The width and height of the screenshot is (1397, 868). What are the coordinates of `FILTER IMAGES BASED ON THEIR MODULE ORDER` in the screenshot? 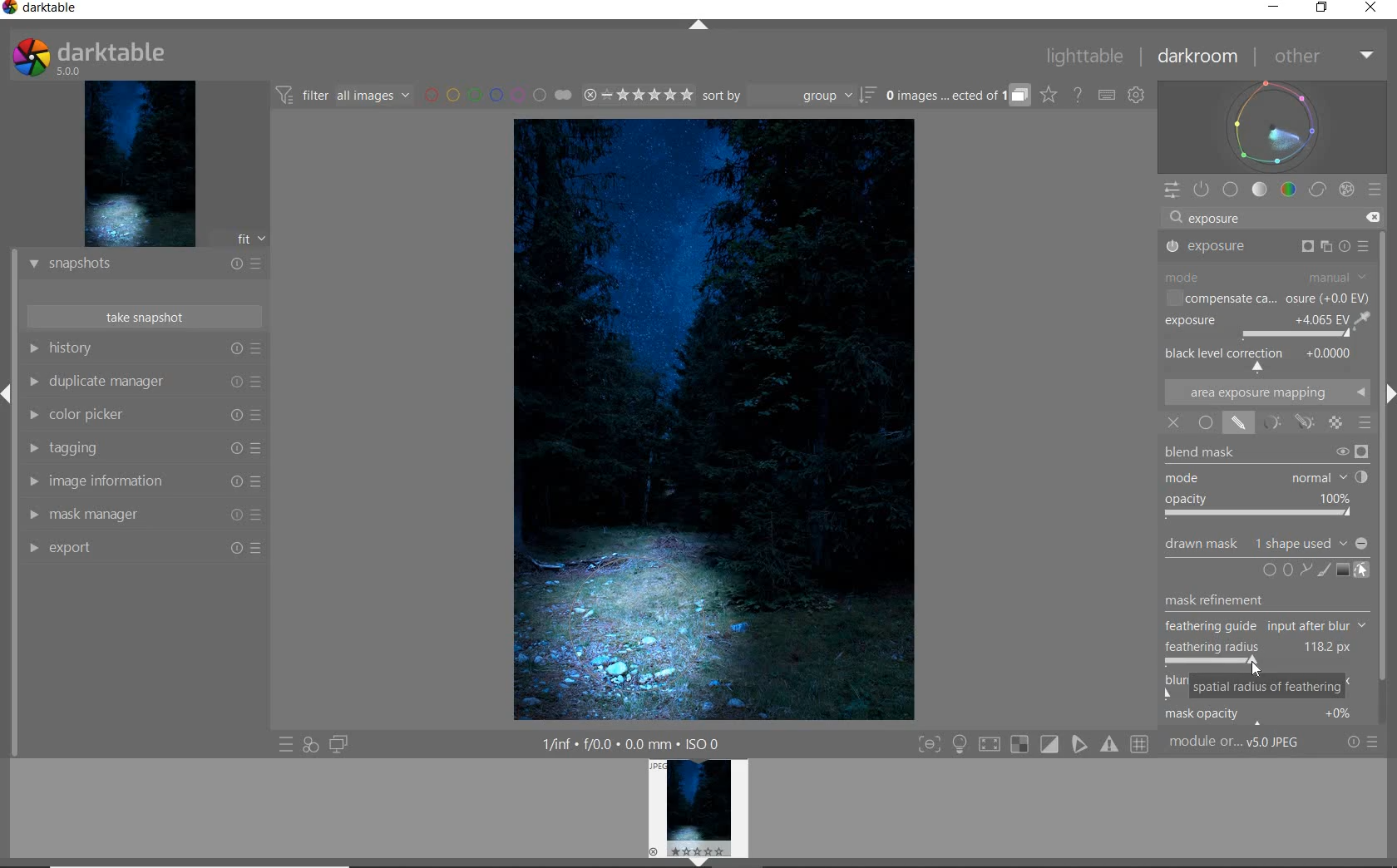 It's located at (345, 96).